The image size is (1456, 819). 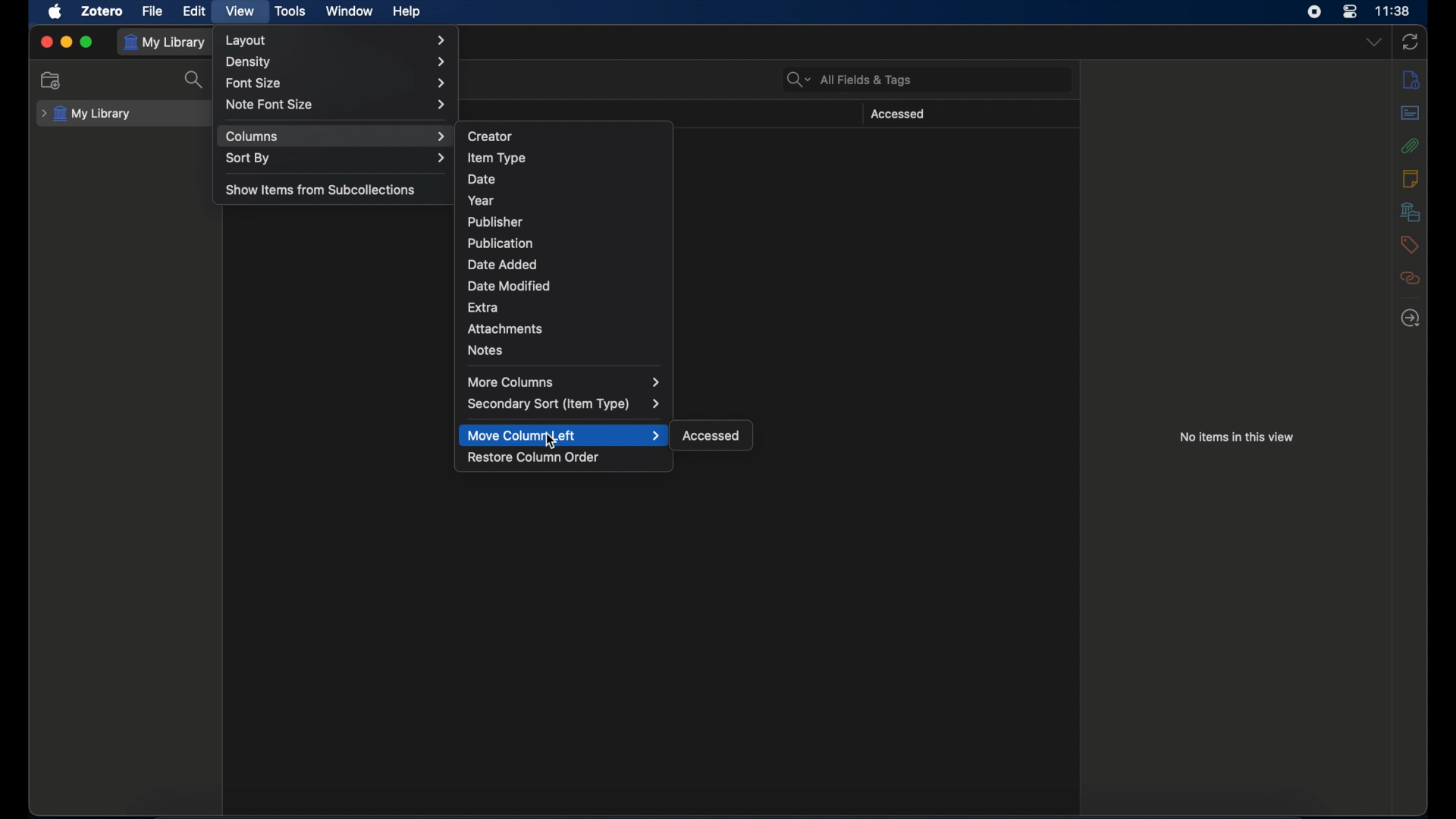 I want to click on font size, so click(x=336, y=84).